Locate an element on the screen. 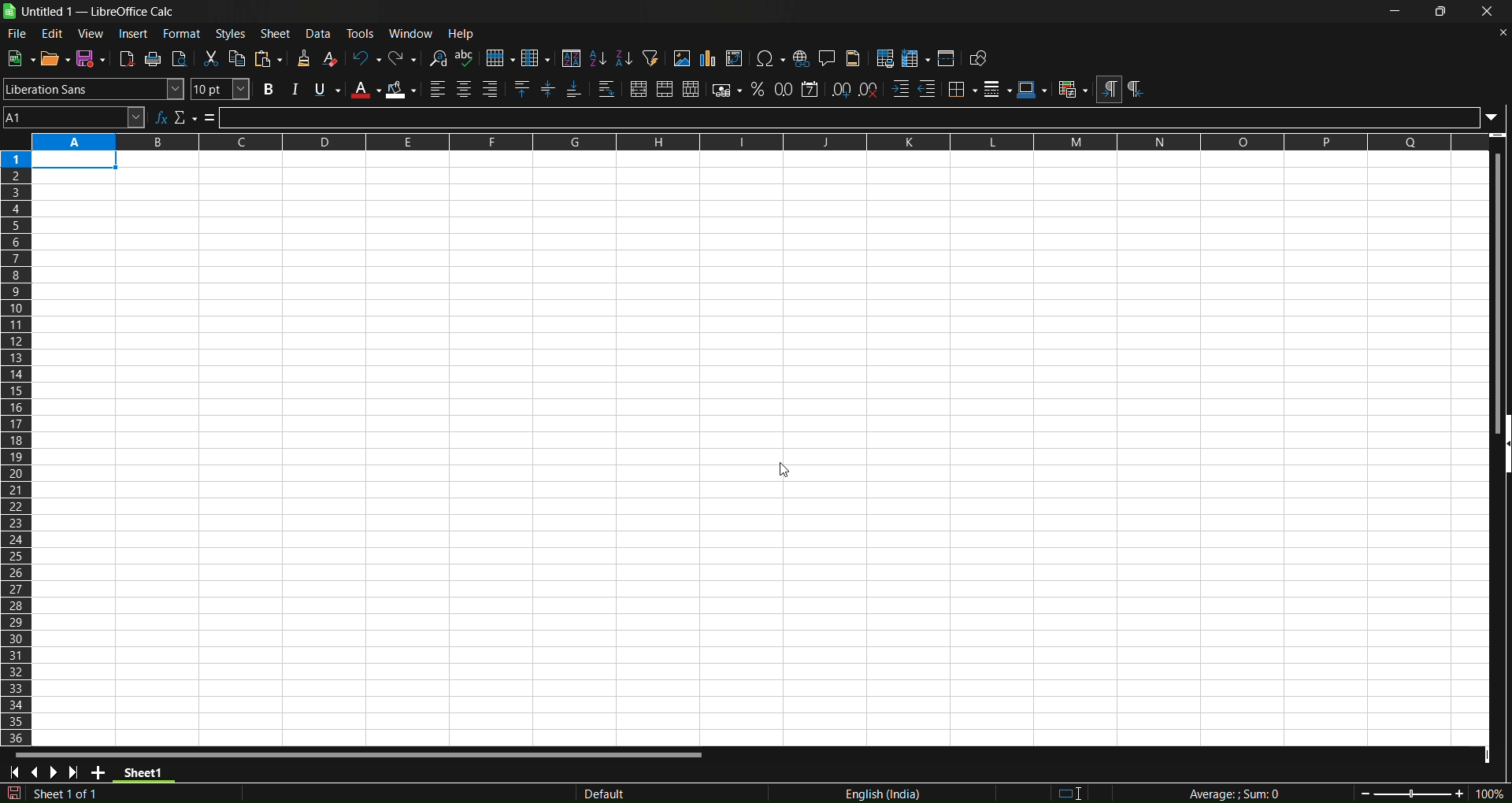 This screenshot has width=1512, height=803. format  as percent is located at coordinates (761, 90).